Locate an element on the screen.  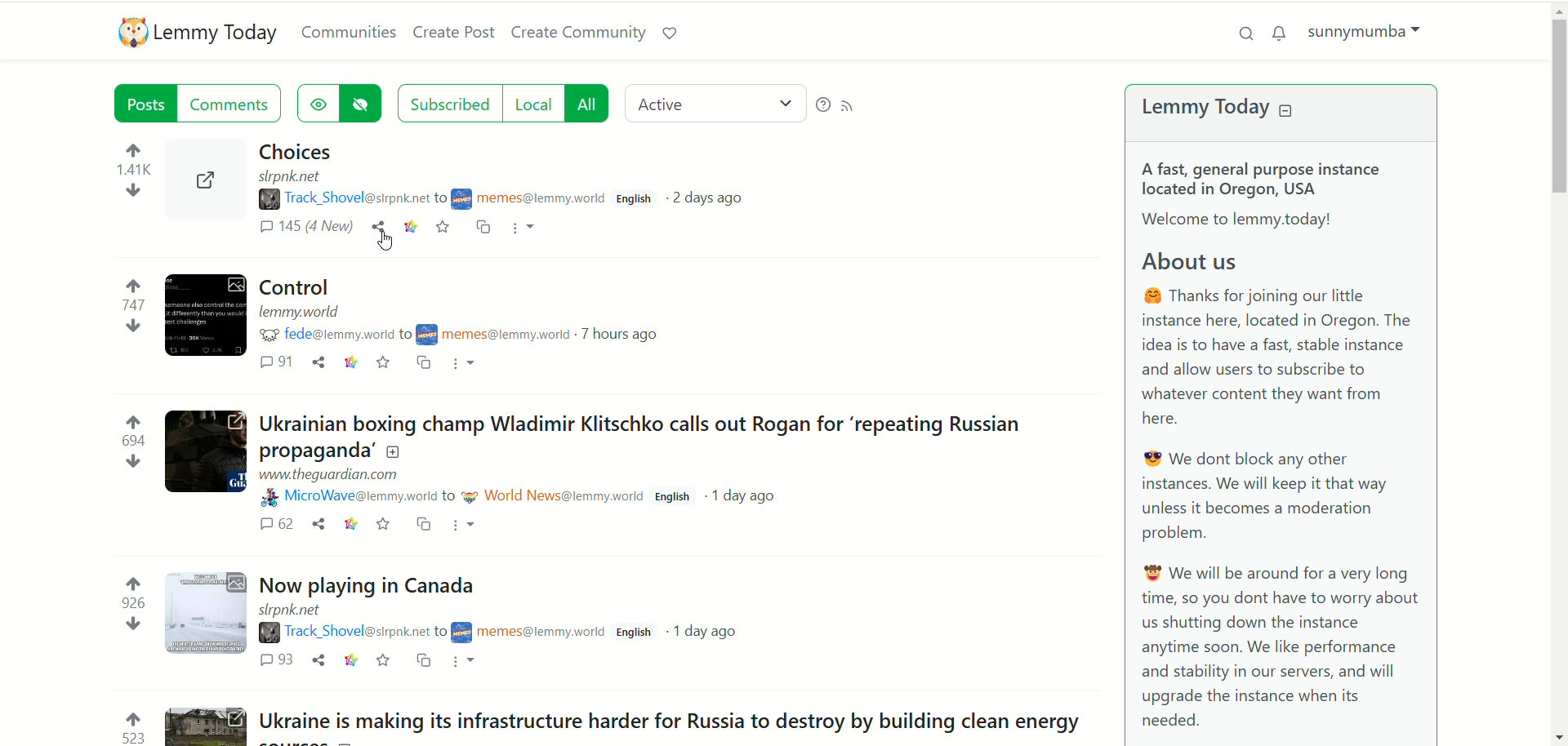
URL is located at coordinates (332, 476).